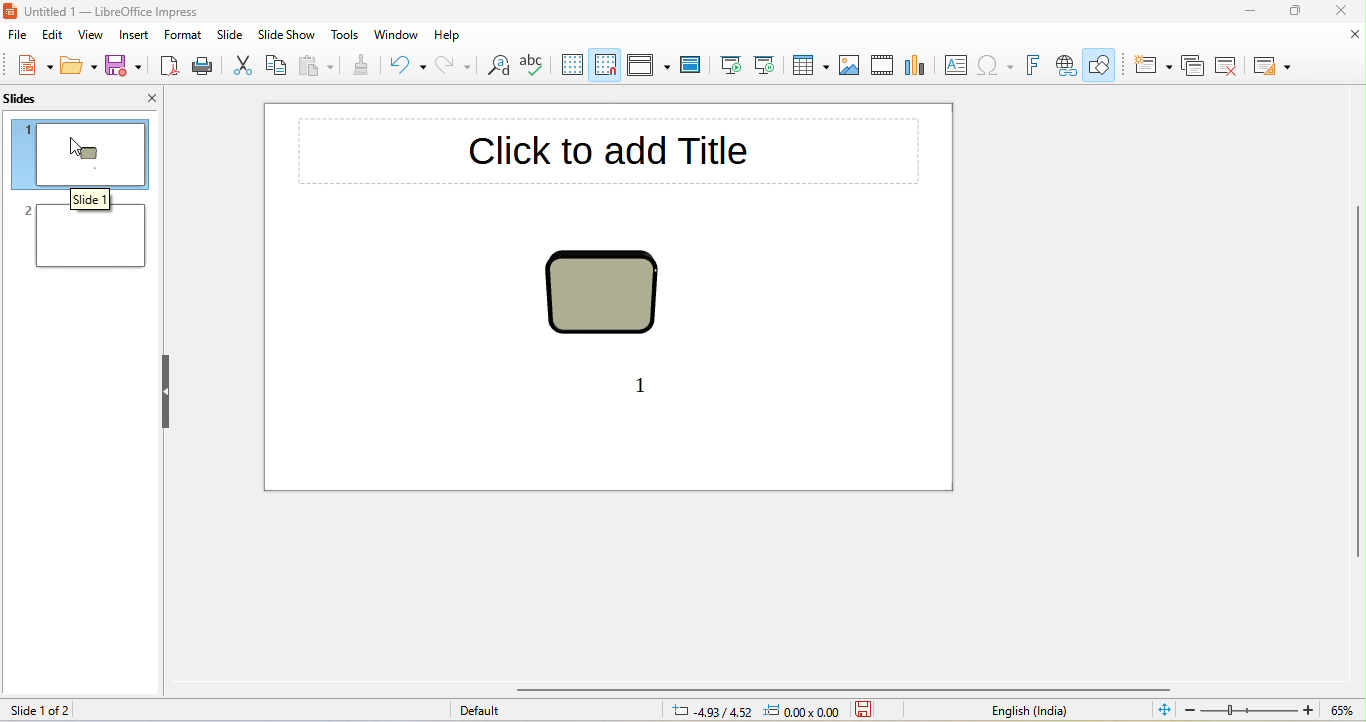  Describe the element at coordinates (1295, 11) in the screenshot. I see `maximize` at that location.